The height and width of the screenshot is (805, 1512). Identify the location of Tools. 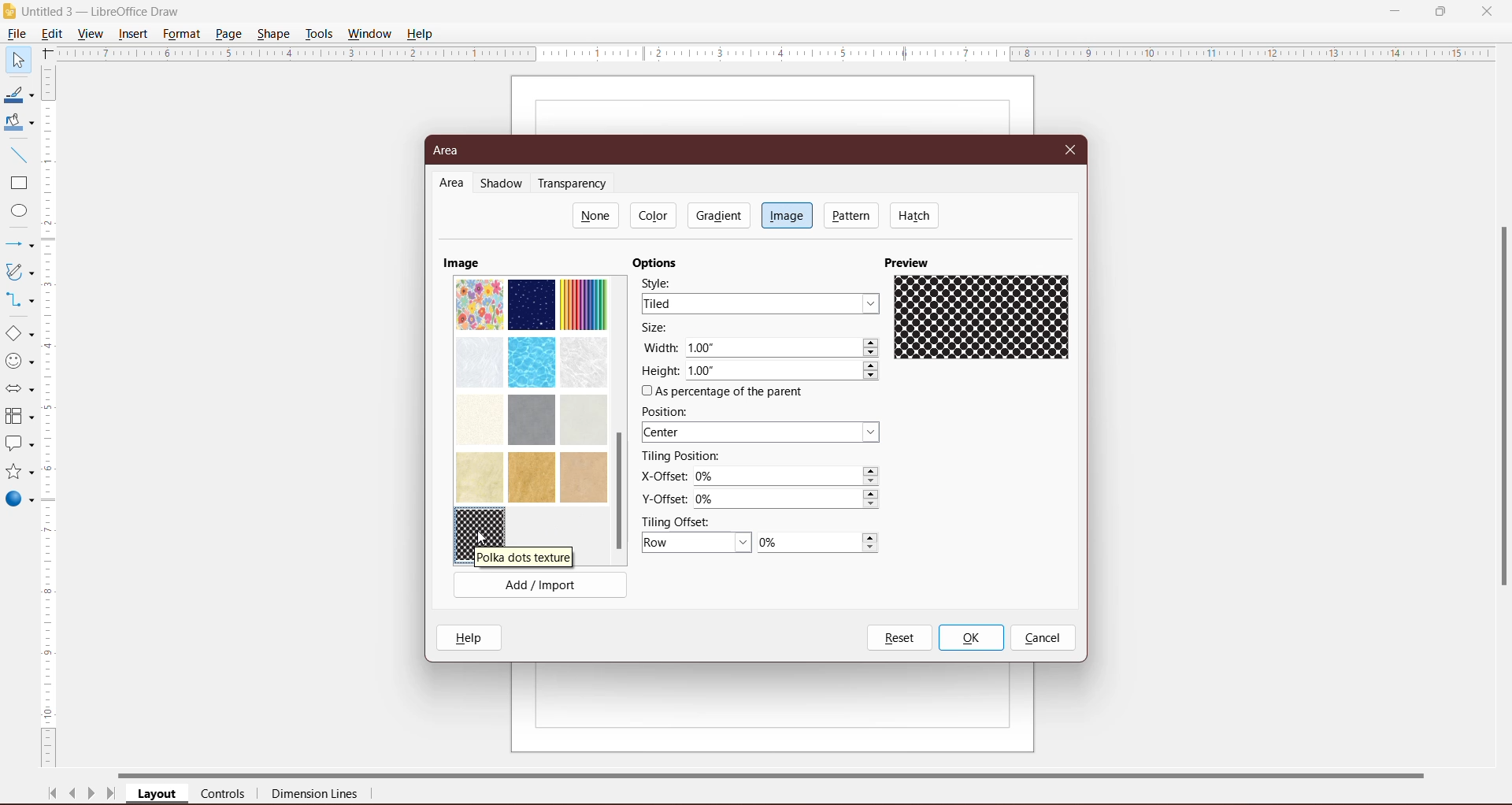
(319, 34).